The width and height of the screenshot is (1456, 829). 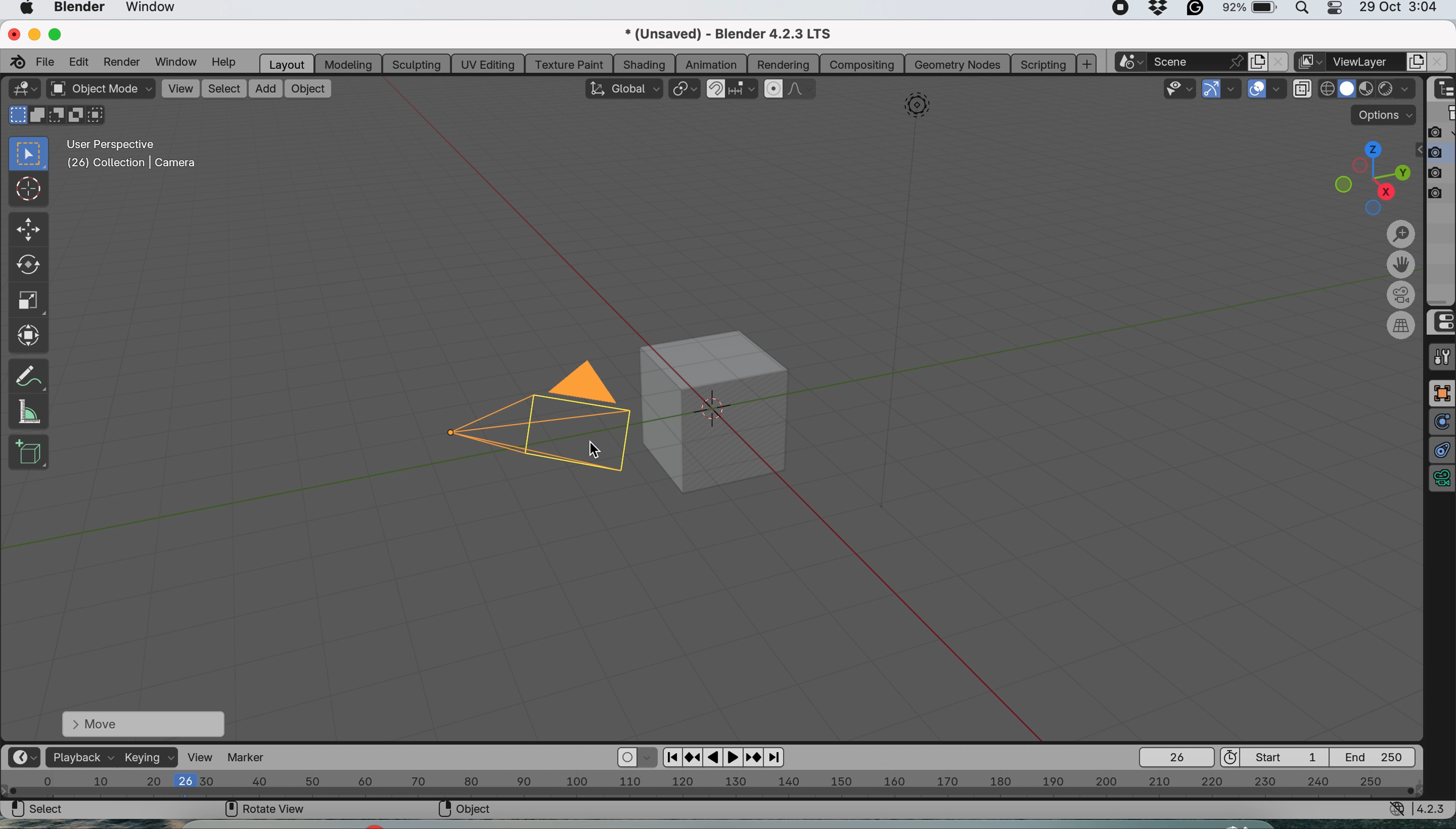 What do you see at coordinates (224, 63) in the screenshot?
I see `help` at bounding box center [224, 63].